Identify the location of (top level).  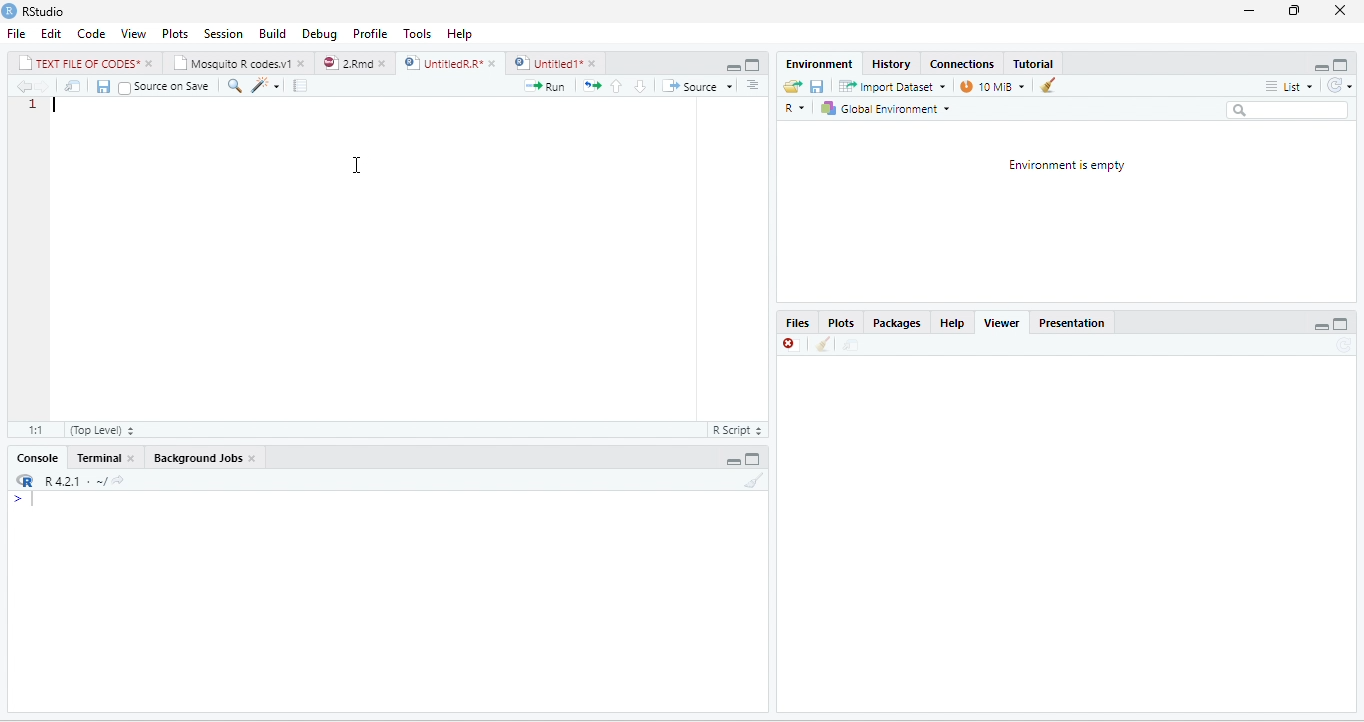
(99, 431).